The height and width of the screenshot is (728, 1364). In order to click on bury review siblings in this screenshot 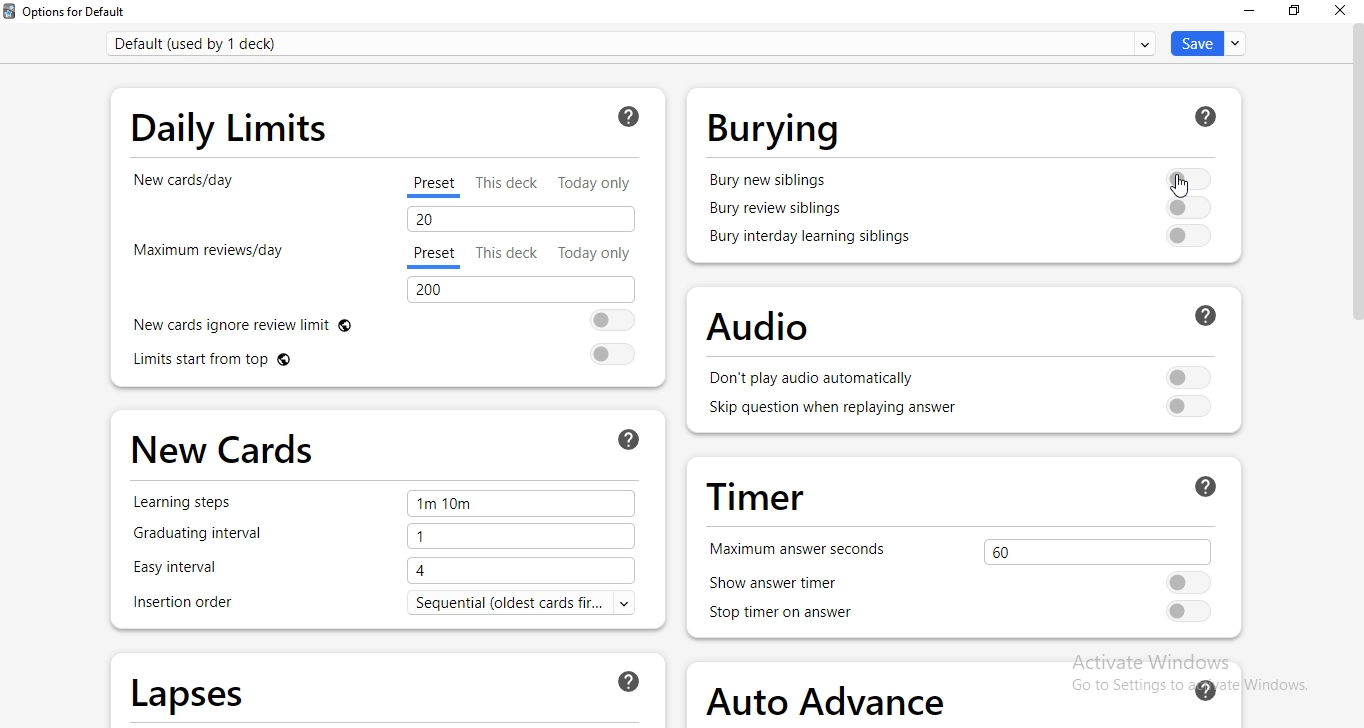, I will do `click(777, 211)`.